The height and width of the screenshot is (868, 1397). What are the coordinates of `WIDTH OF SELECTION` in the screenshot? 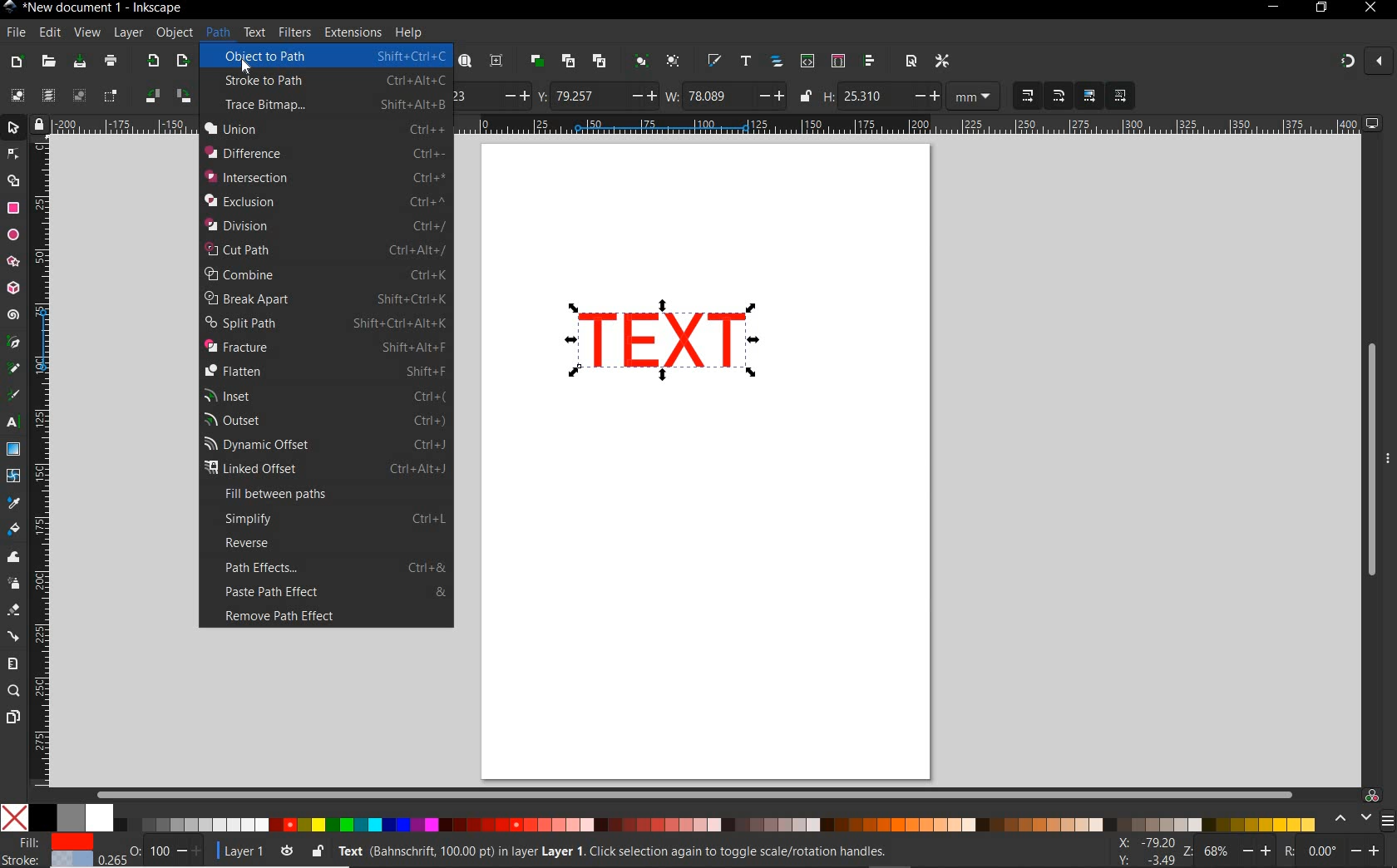 It's located at (725, 96).